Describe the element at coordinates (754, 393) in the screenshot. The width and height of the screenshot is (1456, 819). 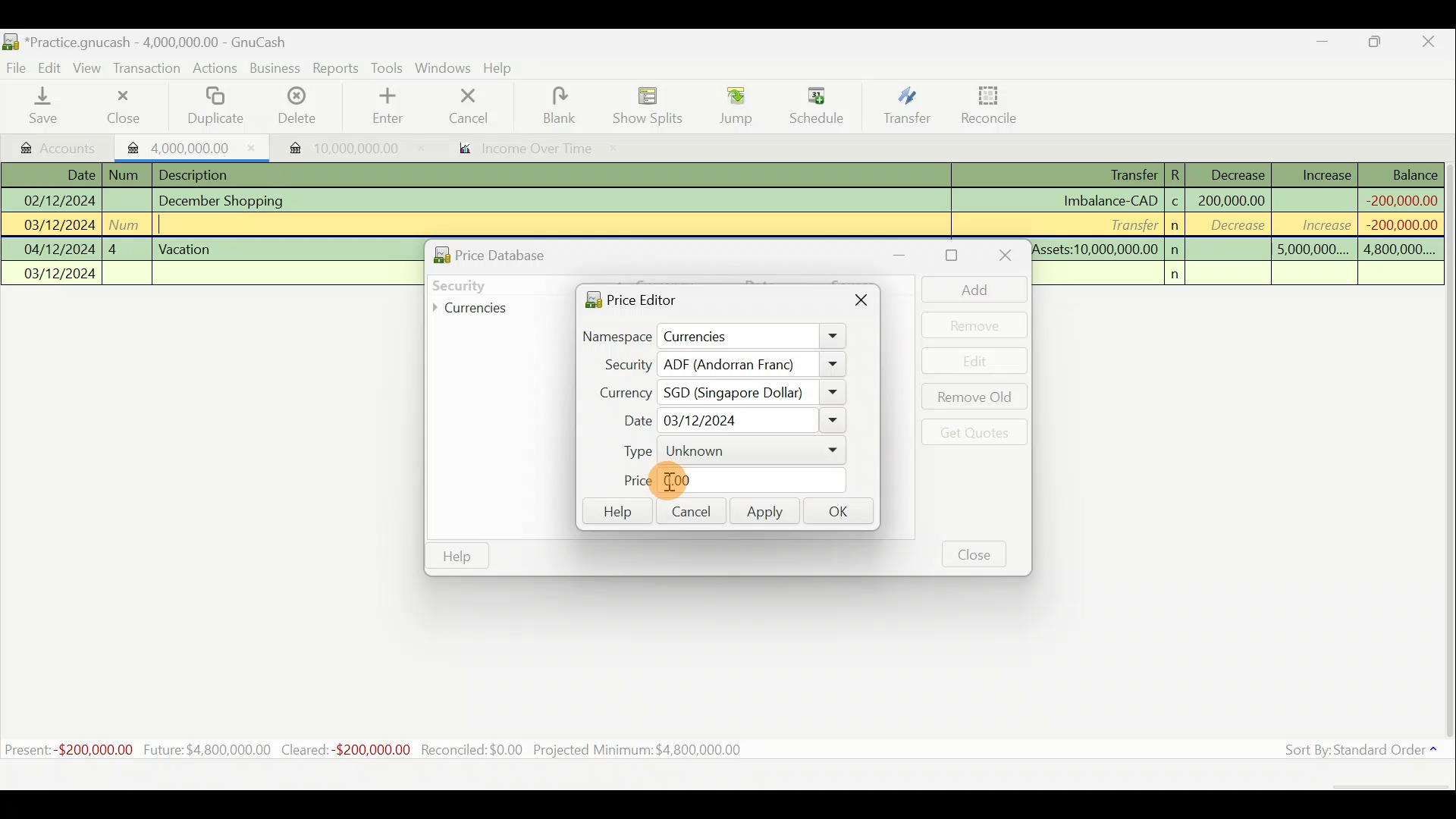
I see `SGD` at that location.